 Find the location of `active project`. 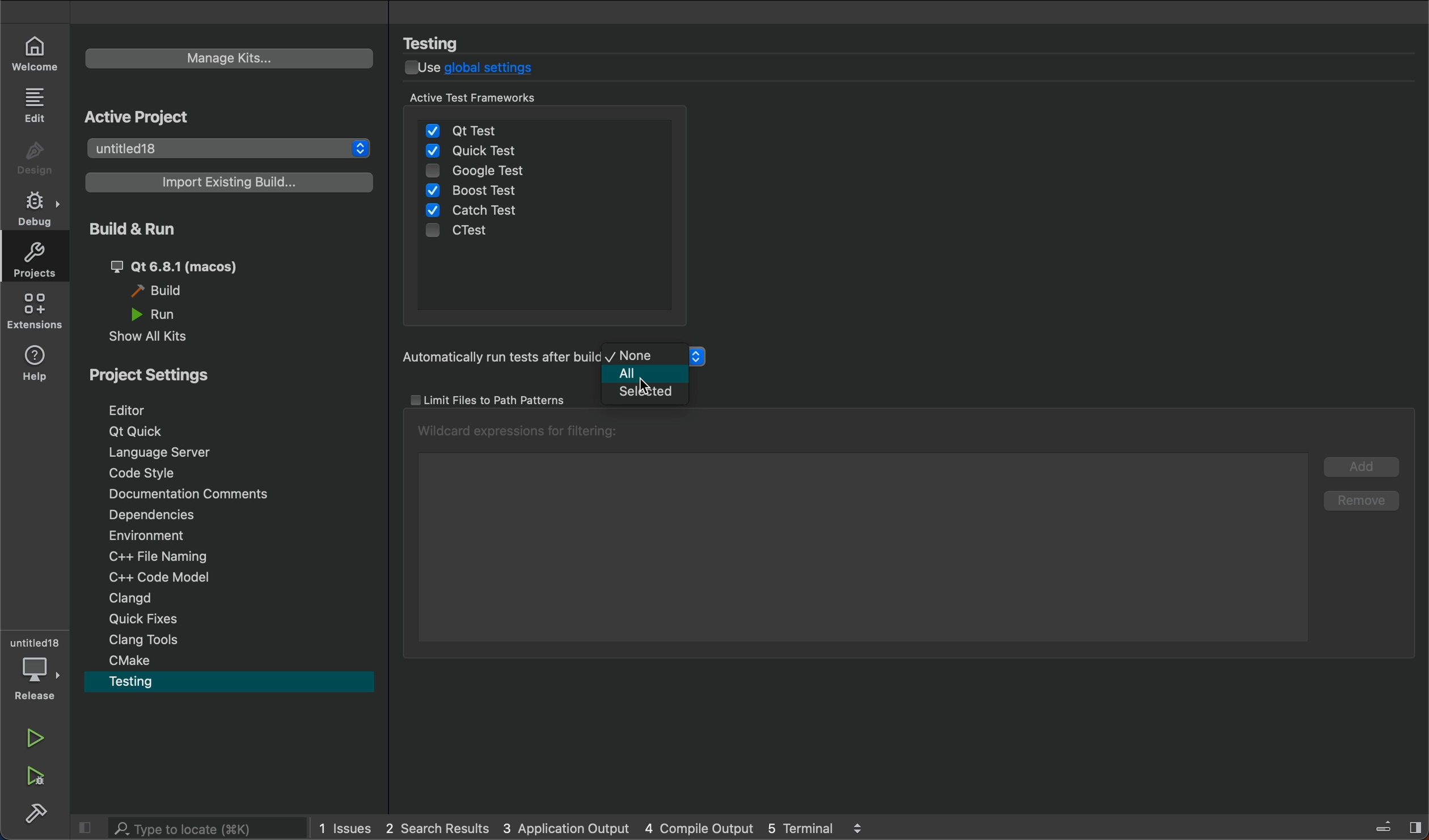

active project is located at coordinates (166, 117).